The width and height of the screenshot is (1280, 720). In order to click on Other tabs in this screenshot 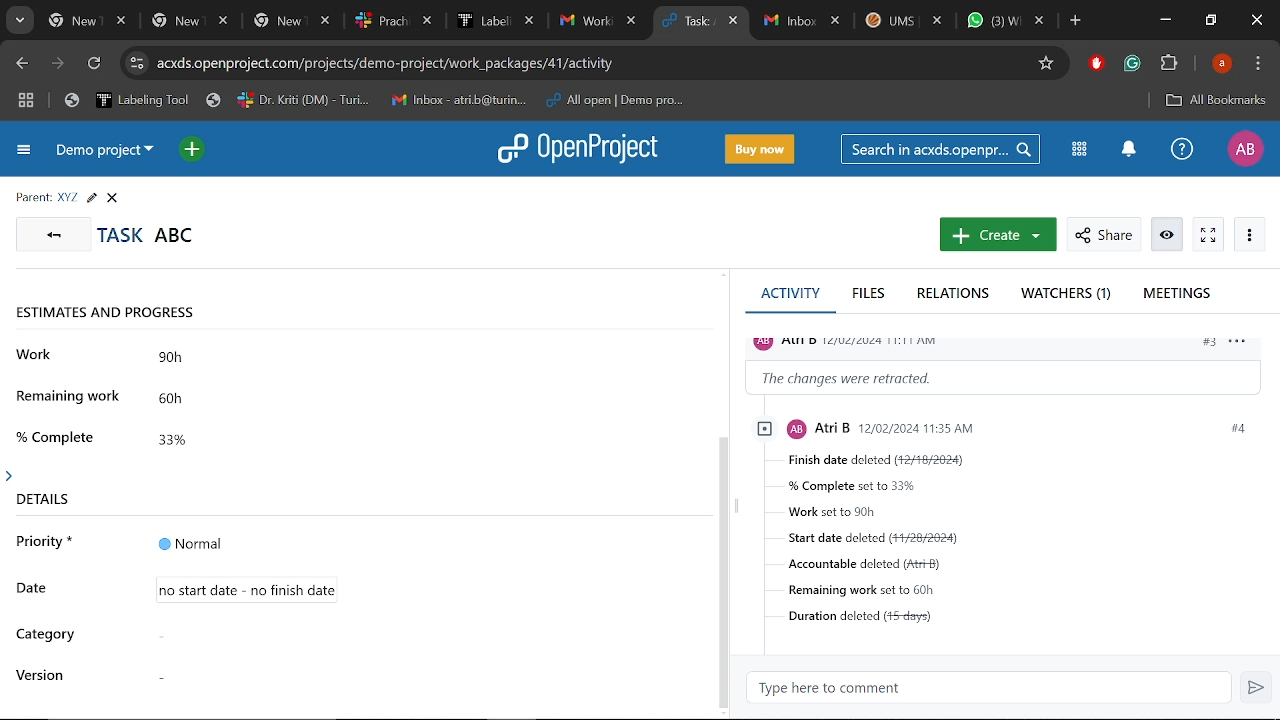, I will do `click(905, 23)`.